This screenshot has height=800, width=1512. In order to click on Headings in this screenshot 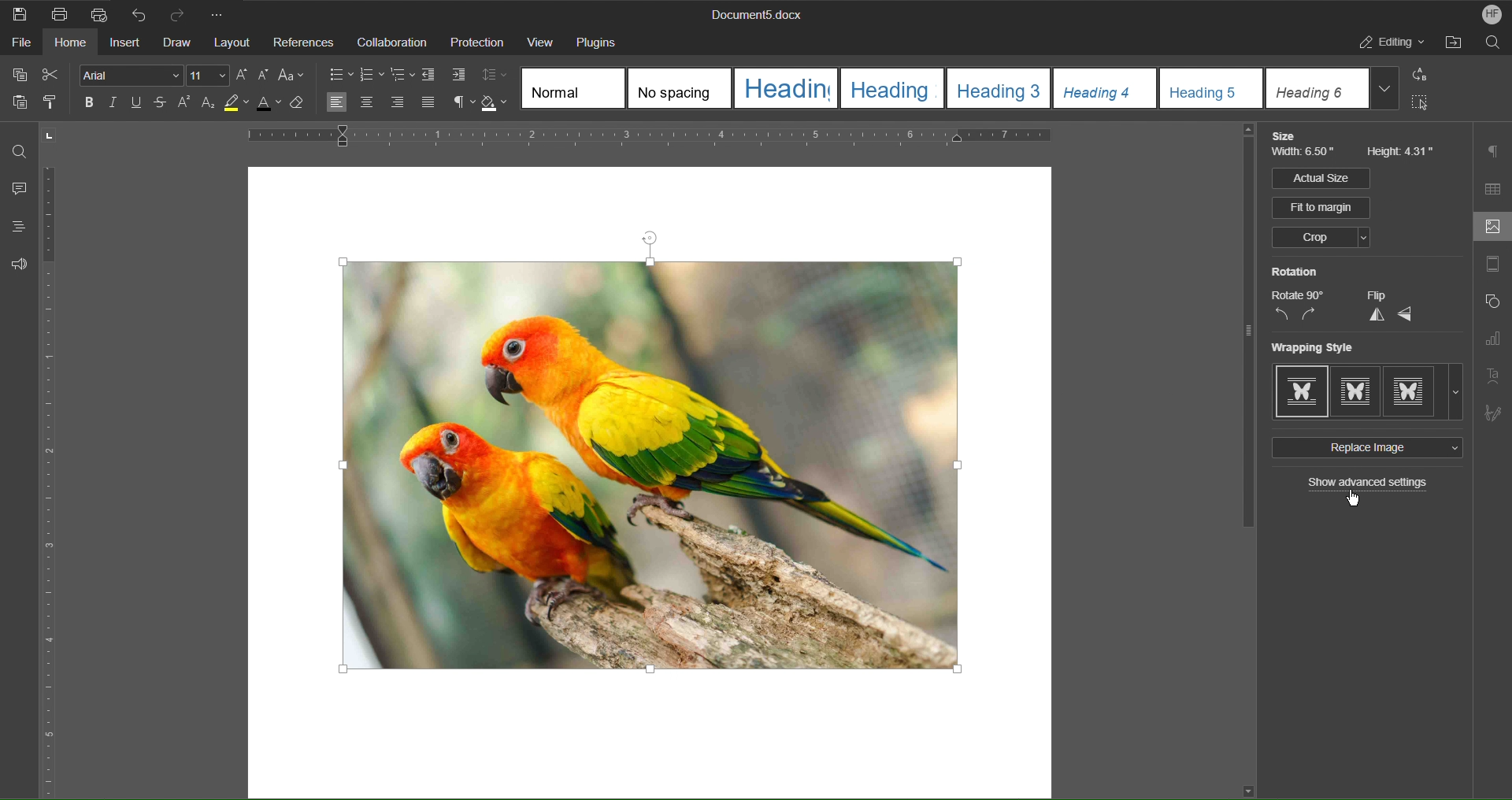, I will do `click(13, 227)`.